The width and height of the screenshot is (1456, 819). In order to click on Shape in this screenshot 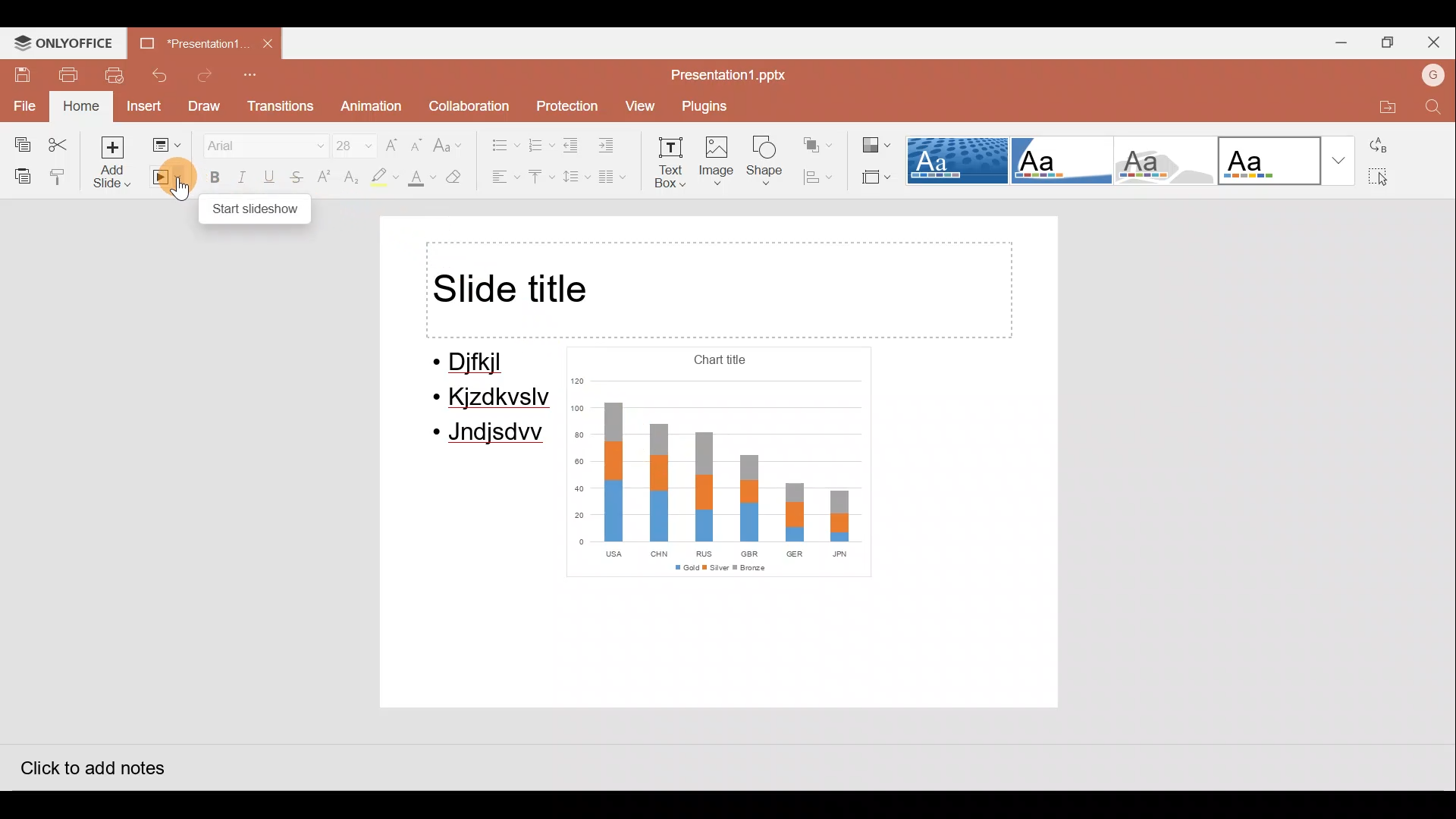, I will do `click(765, 163)`.